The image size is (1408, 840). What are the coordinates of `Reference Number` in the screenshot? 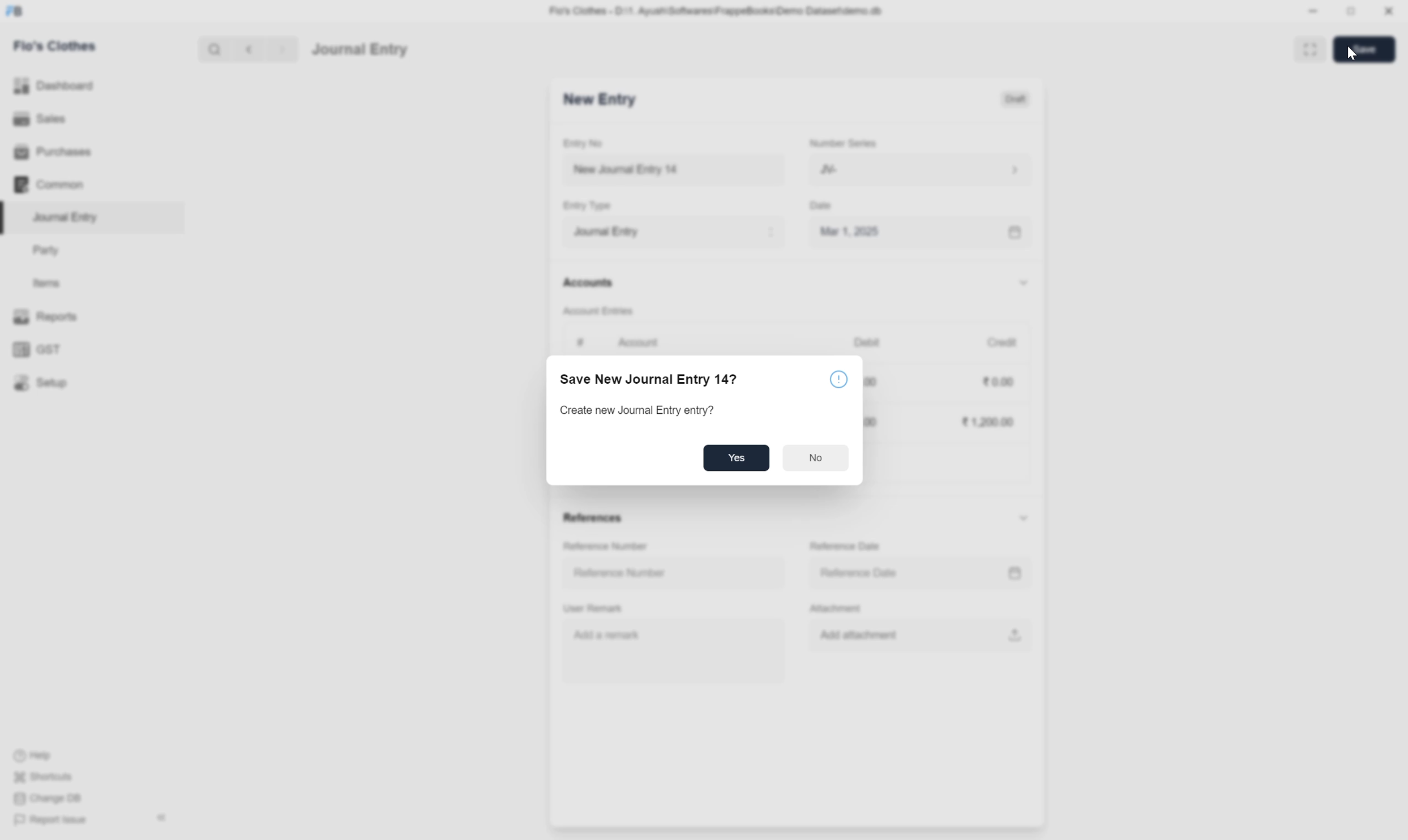 It's located at (620, 573).